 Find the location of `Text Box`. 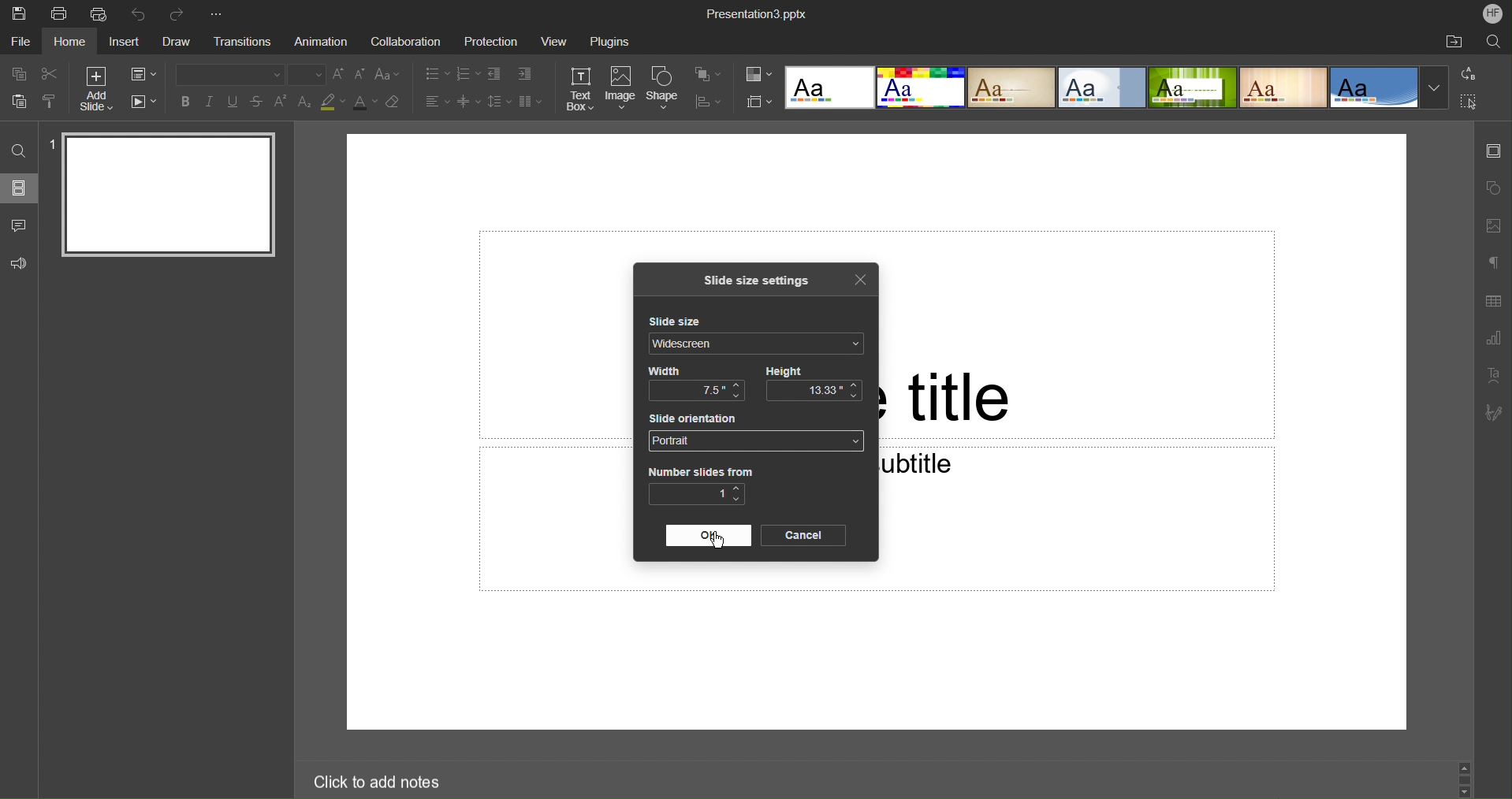

Text Box is located at coordinates (580, 89).